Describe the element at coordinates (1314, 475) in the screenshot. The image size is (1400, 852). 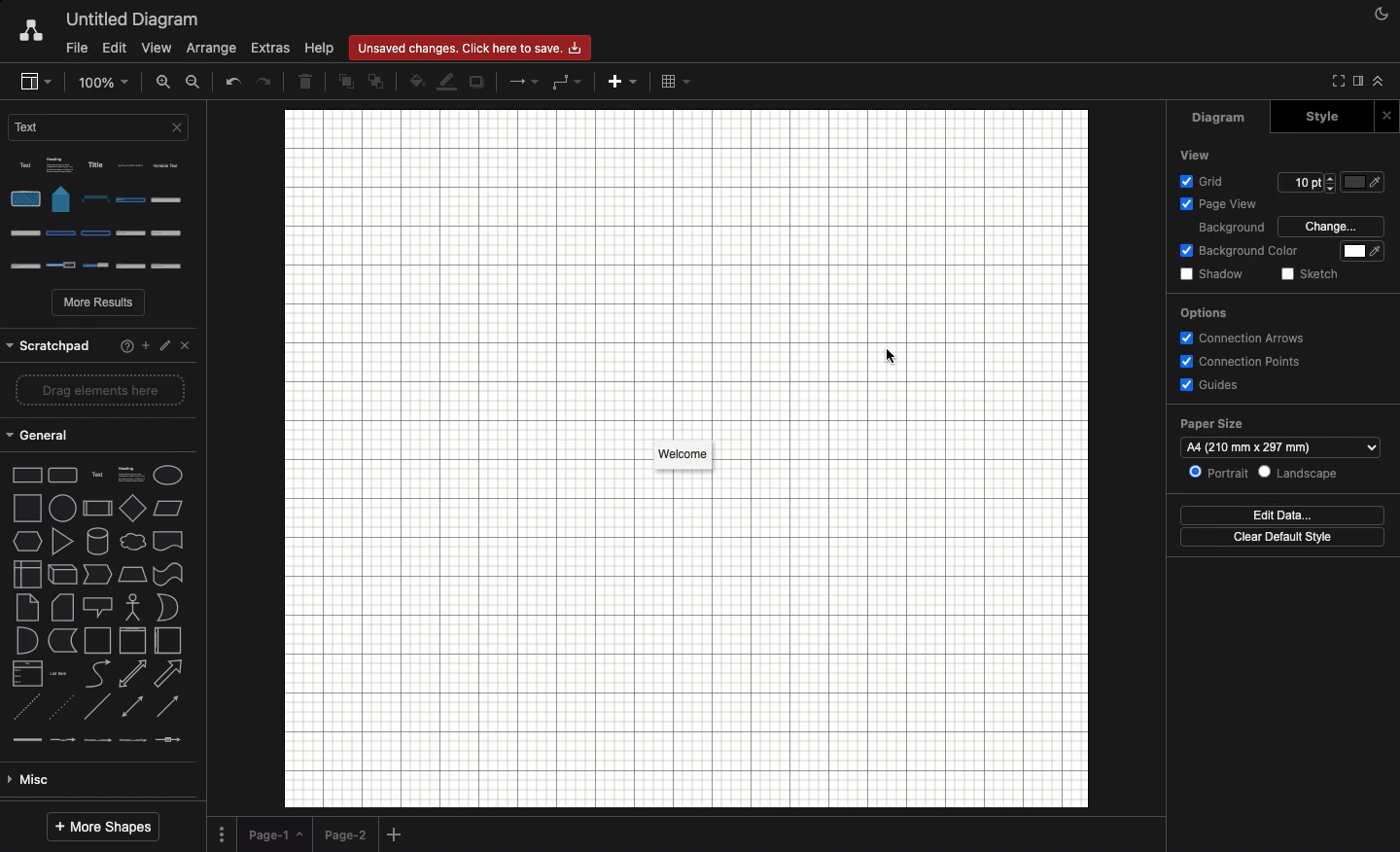
I see `` at that location.